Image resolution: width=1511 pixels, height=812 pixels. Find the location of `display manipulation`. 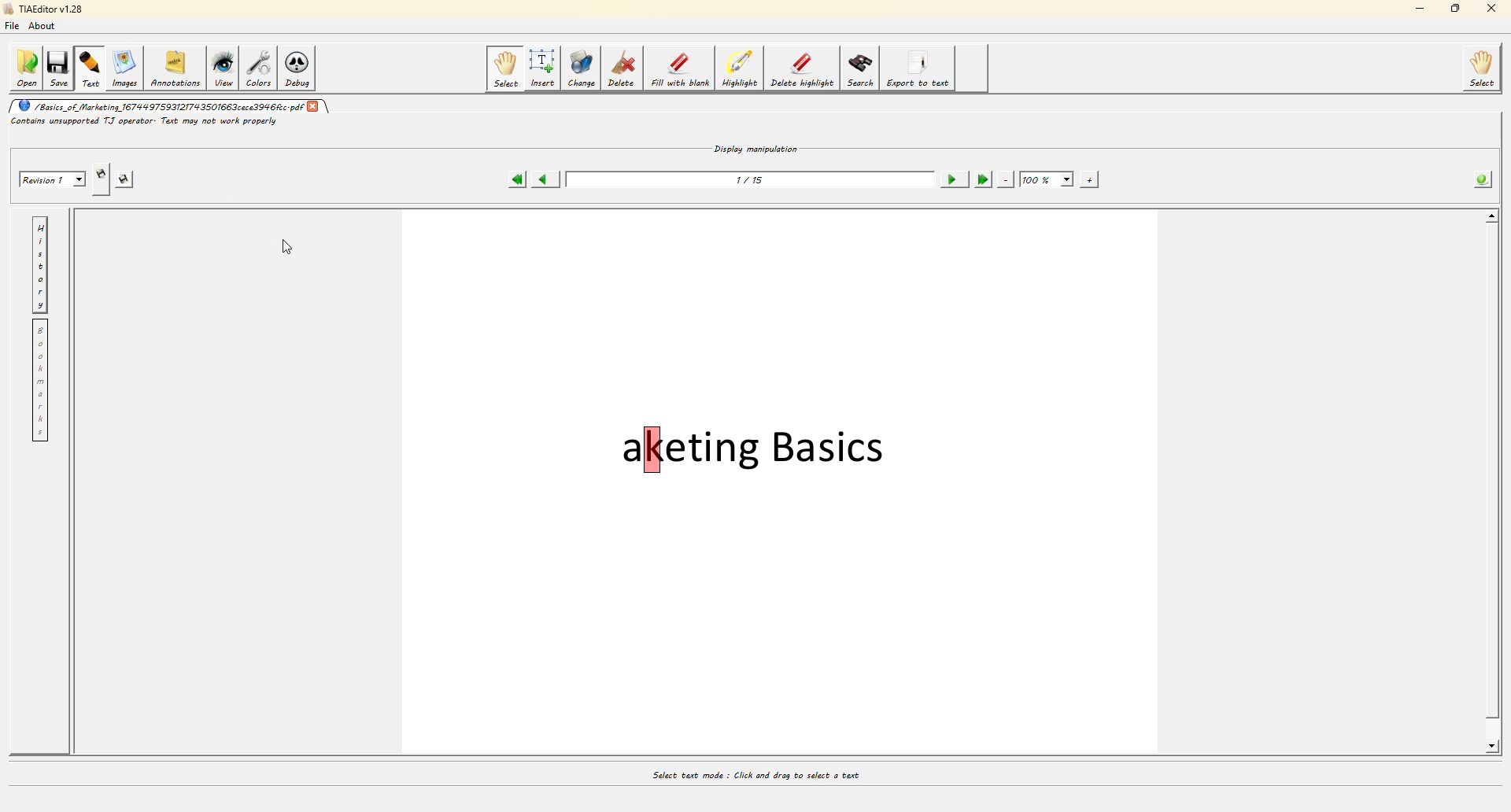

display manipulation is located at coordinates (756, 145).